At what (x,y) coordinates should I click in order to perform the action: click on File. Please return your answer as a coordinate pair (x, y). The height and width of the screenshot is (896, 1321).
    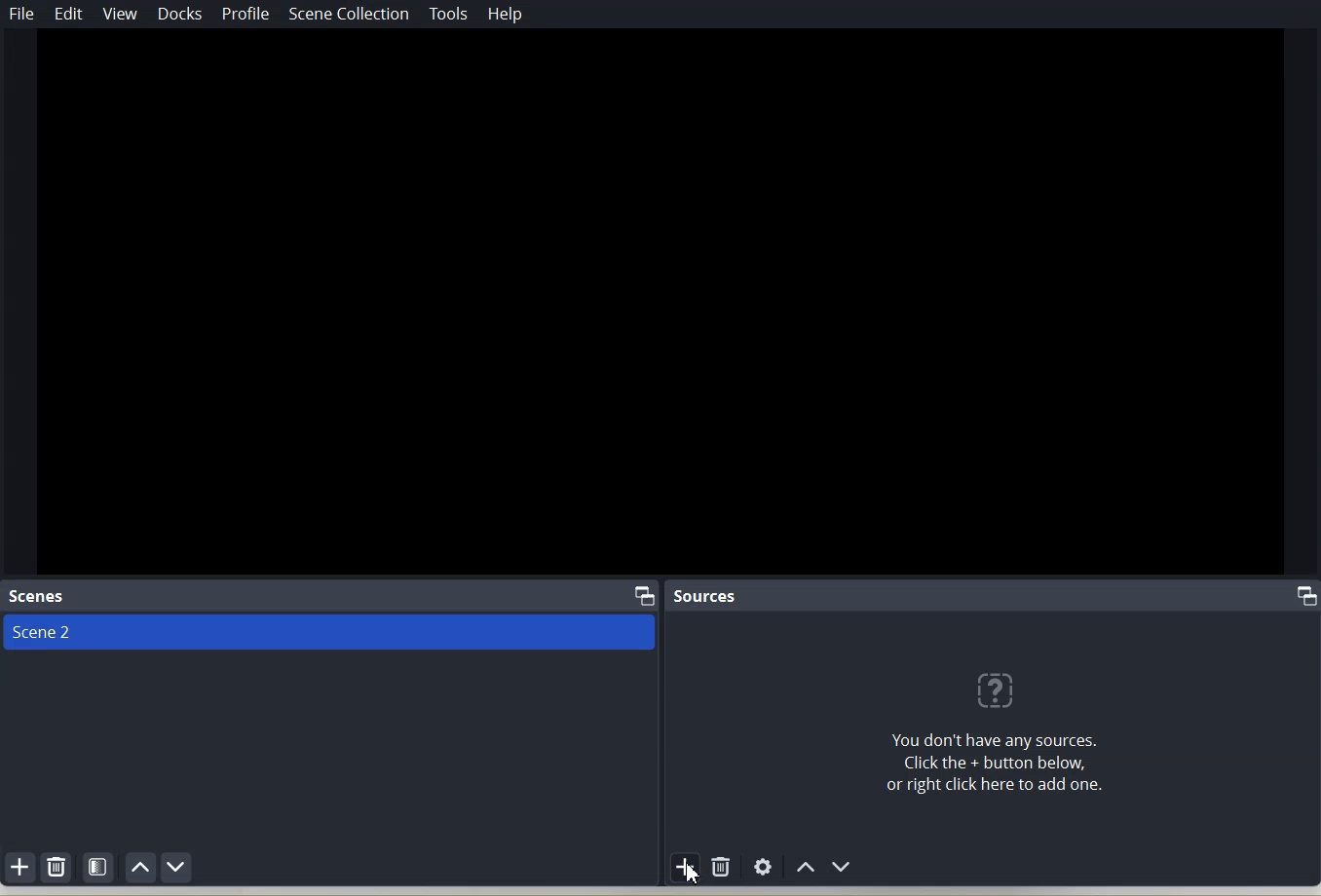
    Looking at the image, I should click on (22, 14).